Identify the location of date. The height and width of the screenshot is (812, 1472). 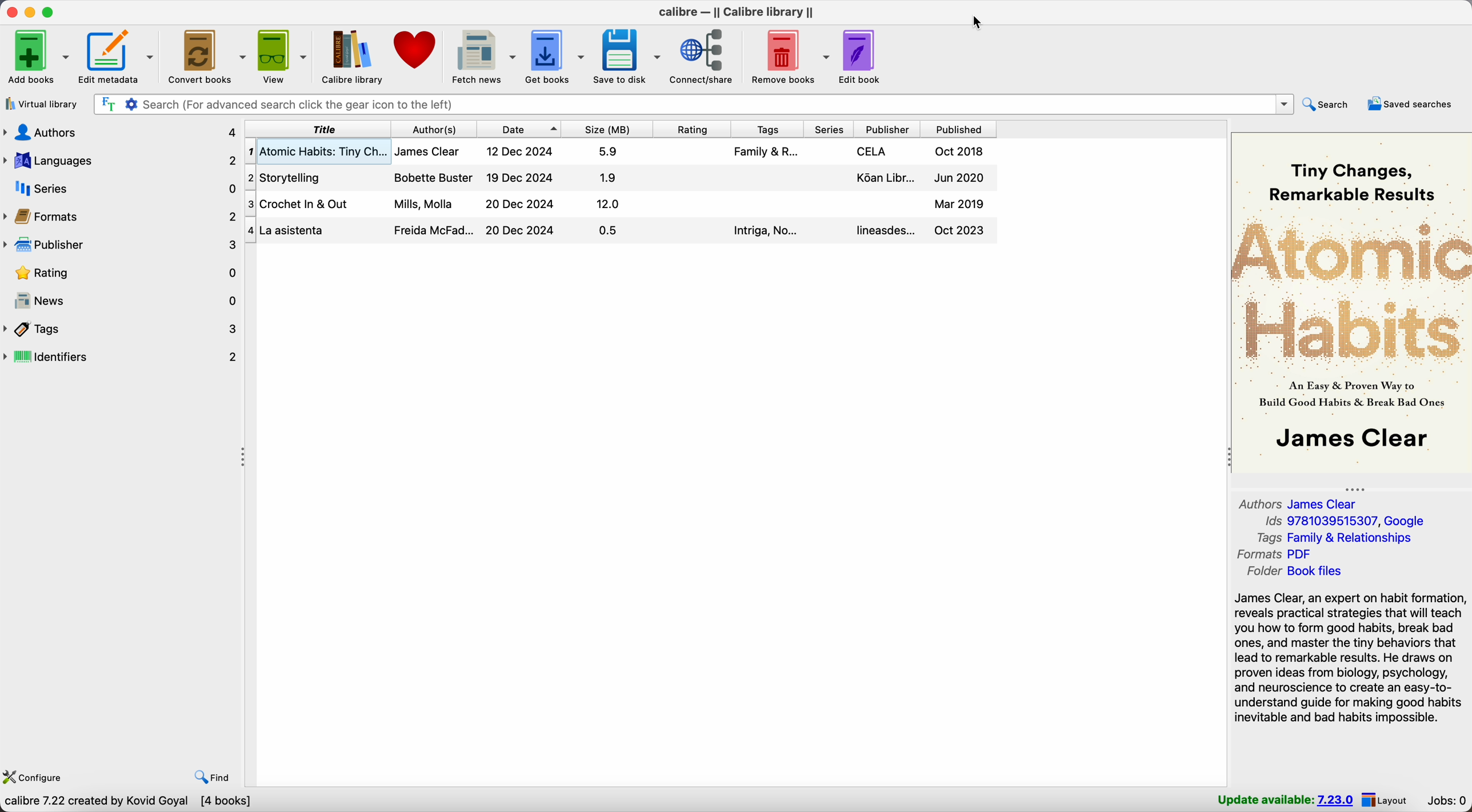
(519, 129).